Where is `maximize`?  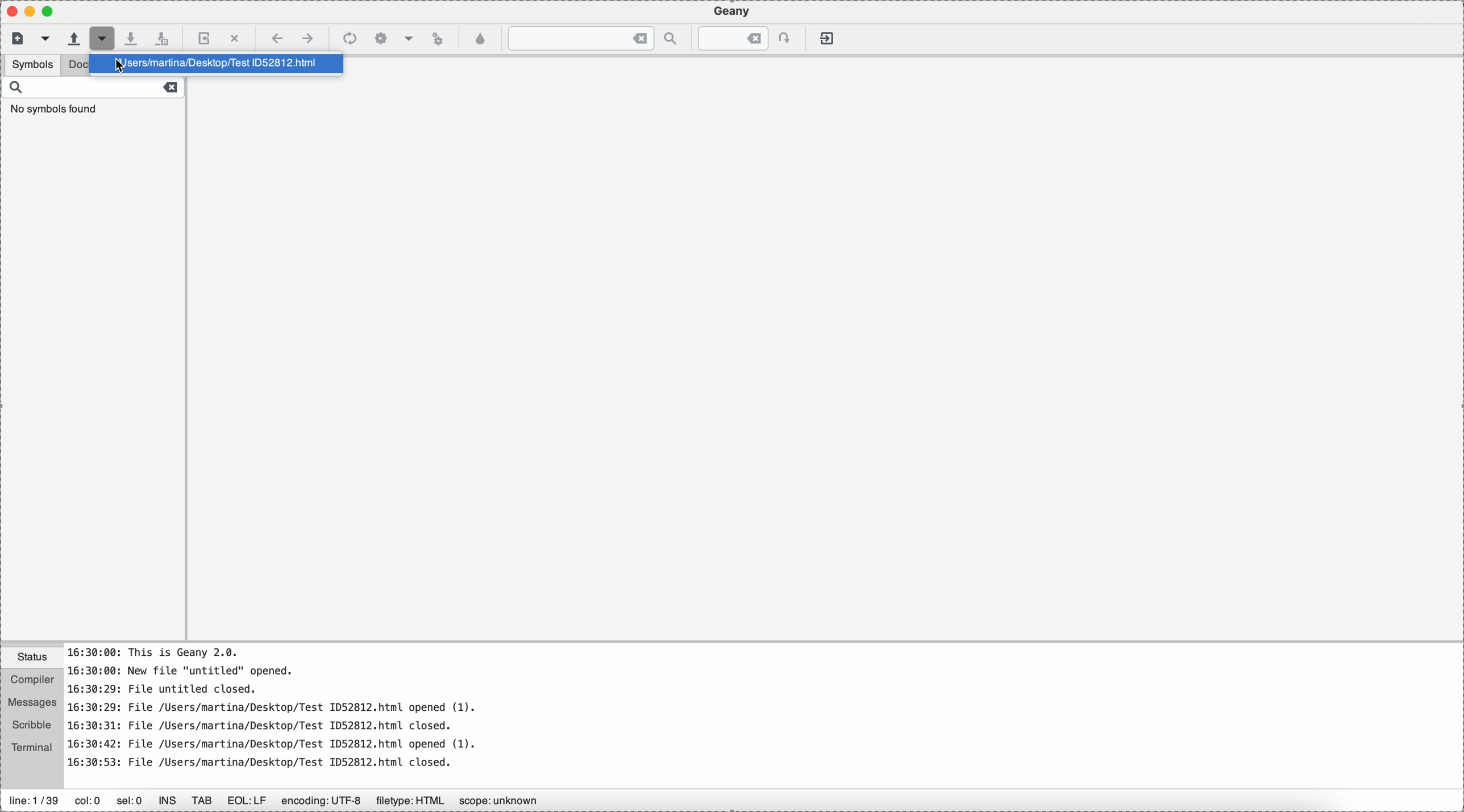 maximize is located at coordinates (31, 10).